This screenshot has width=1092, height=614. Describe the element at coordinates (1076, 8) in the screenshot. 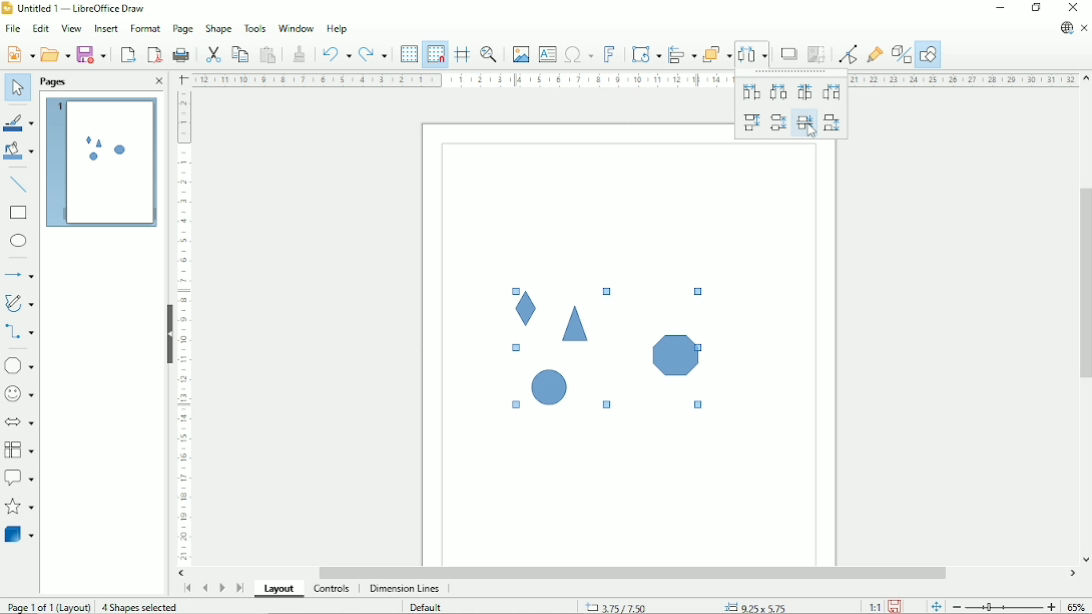

I see `Close` at that location.